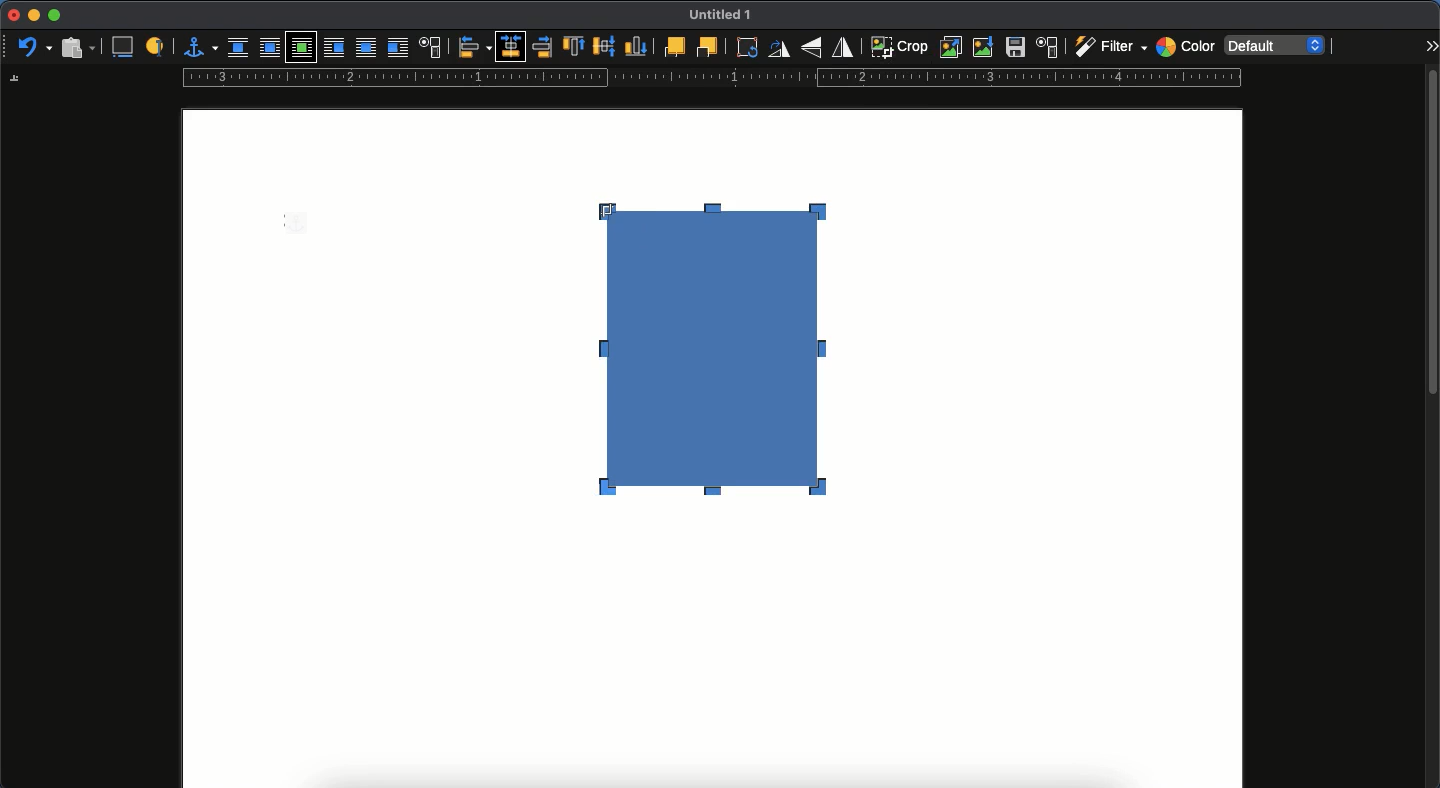 The height and width of the screenshot is (788, 1440). What do you see at coordinates (729, 386) in the screenshot?
I see `image` at bounding box center [729, 386].